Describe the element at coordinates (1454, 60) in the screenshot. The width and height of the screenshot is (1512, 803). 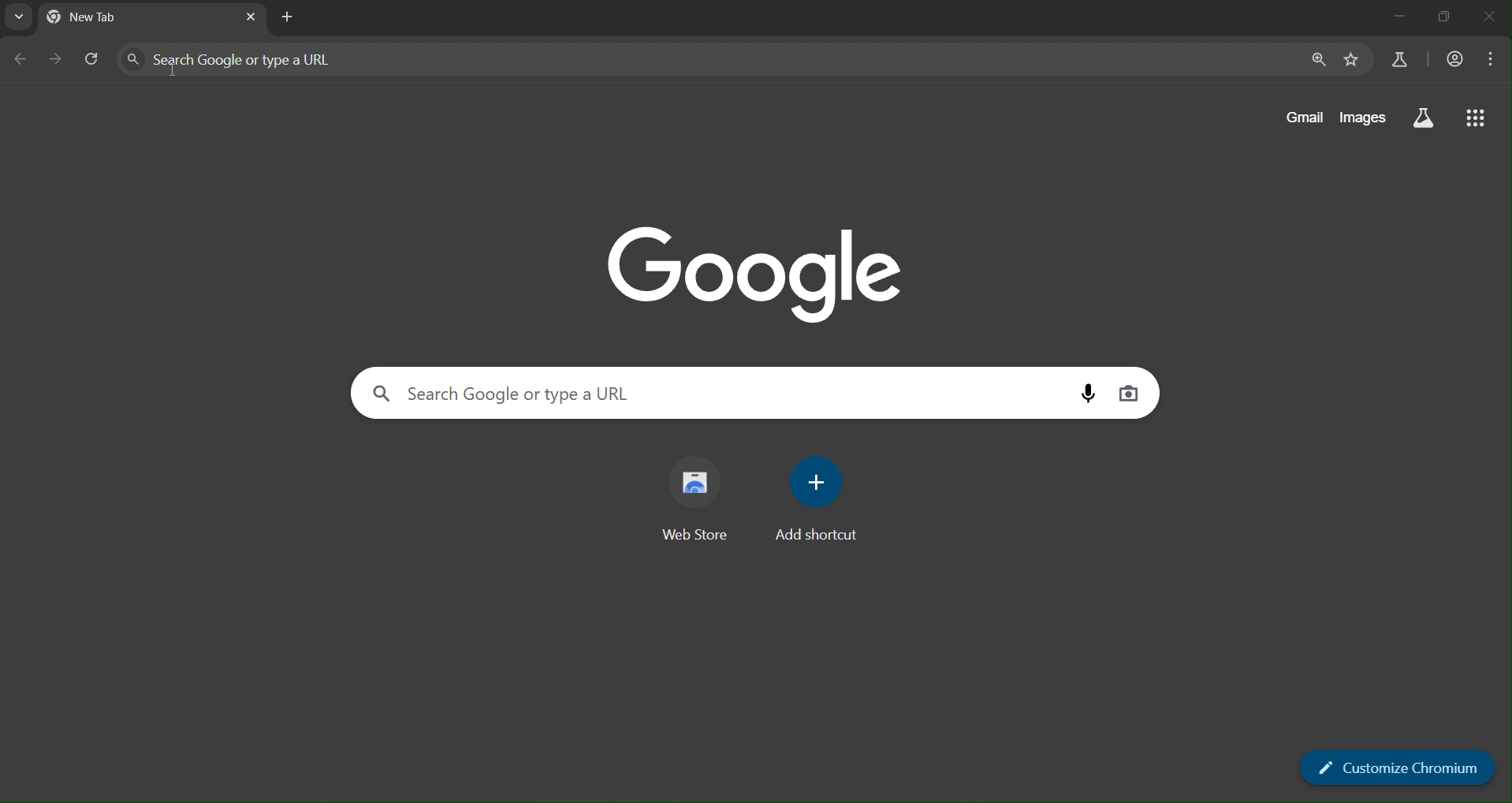
I see `account` at that location.